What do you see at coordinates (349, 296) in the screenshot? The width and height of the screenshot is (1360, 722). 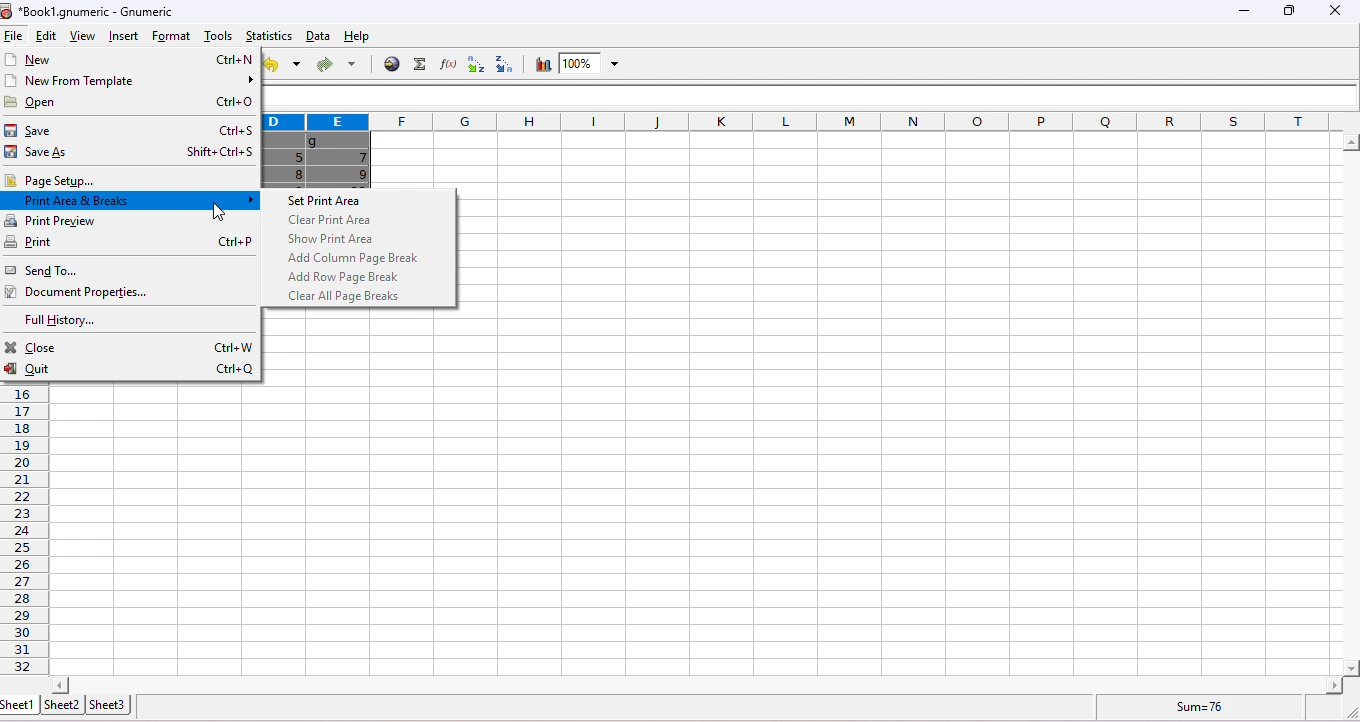 I see `clear page breaks` at bounding box center [349, 296].